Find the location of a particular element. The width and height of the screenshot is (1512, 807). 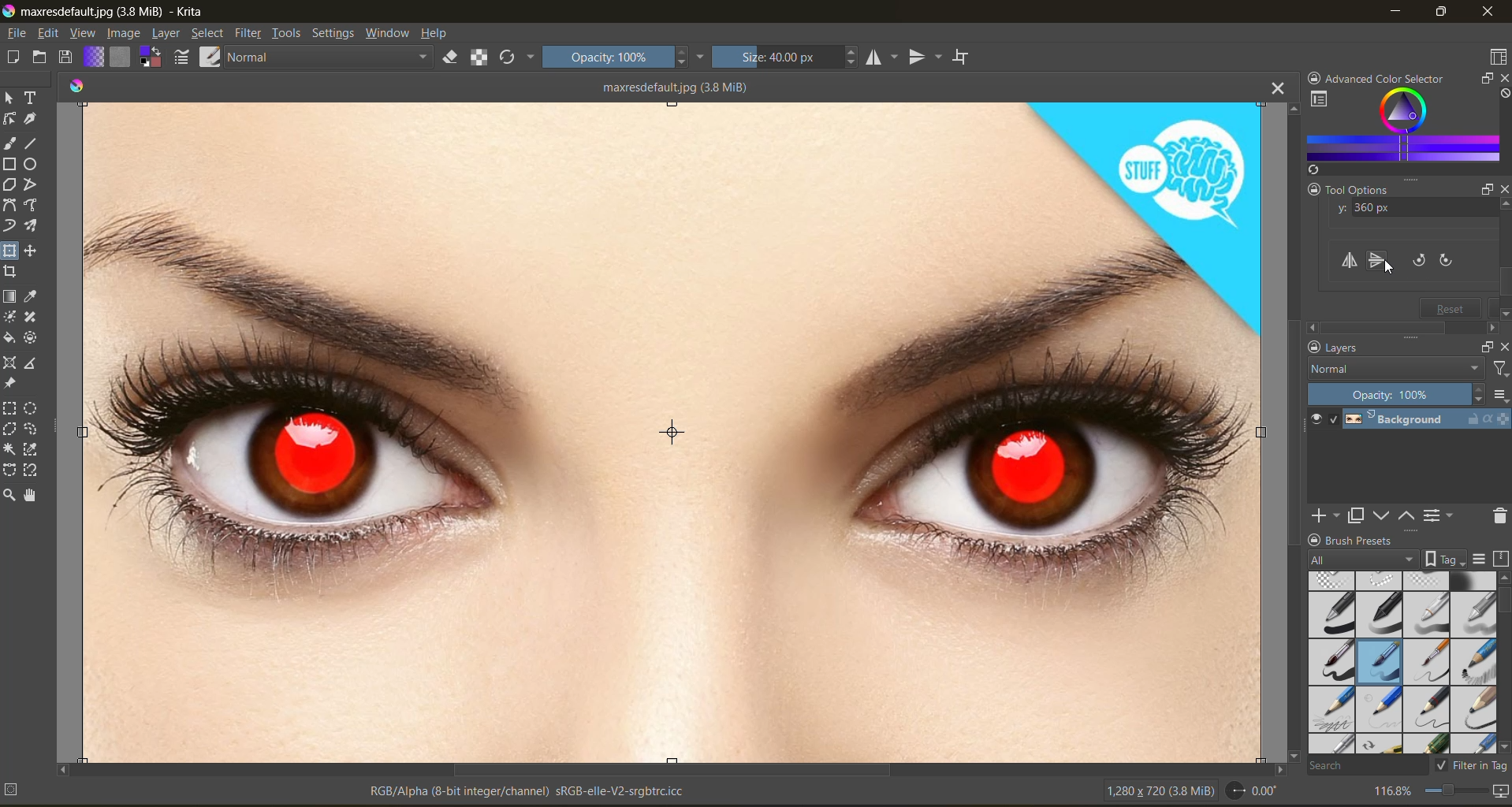

rotate clockwise is located at coordinates (1444, 261).